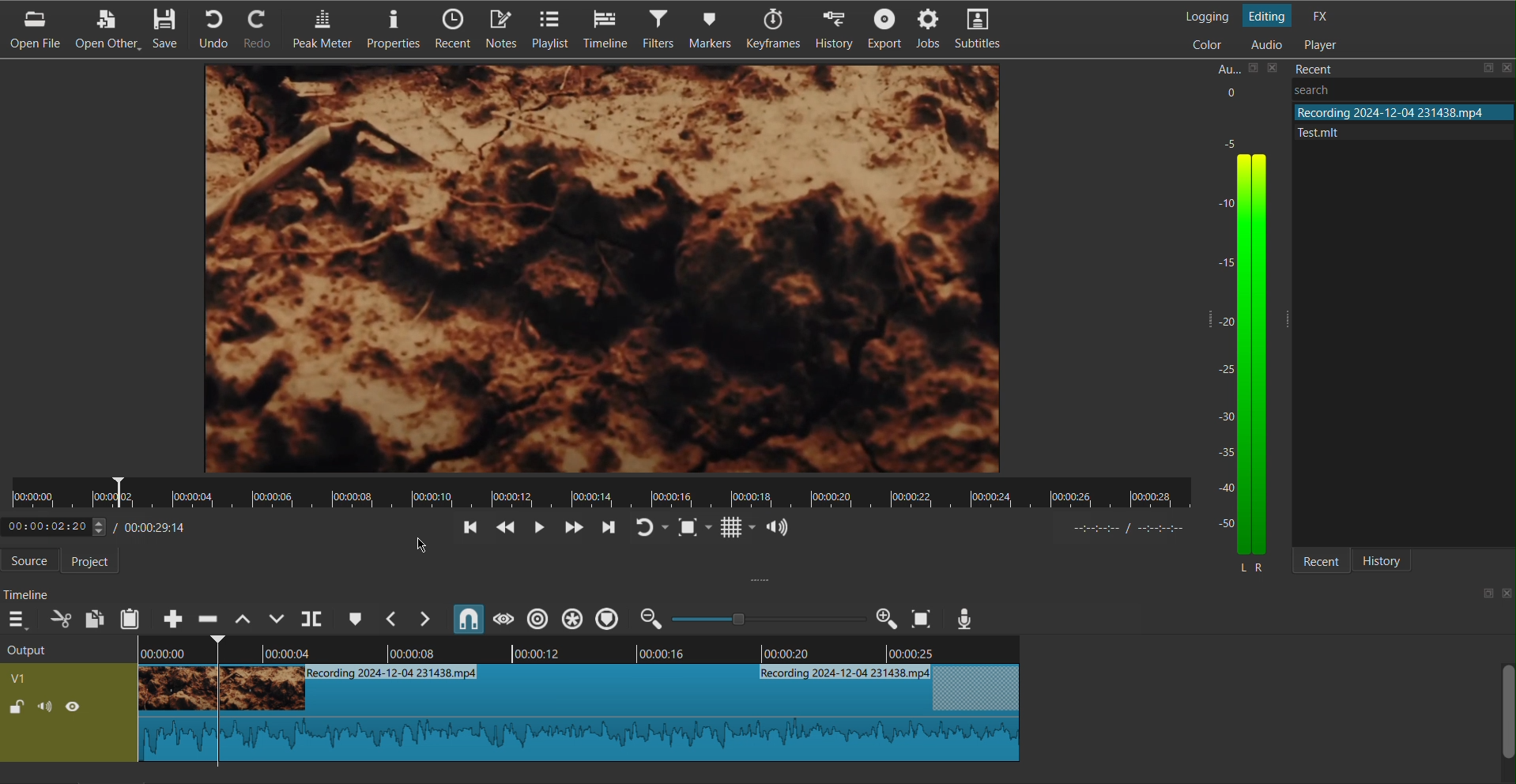 The width and height of the screenshot is (1516, 784). Describe the element at coordinates (109, 28) in the screenshot. I see `Open Other` at that location.